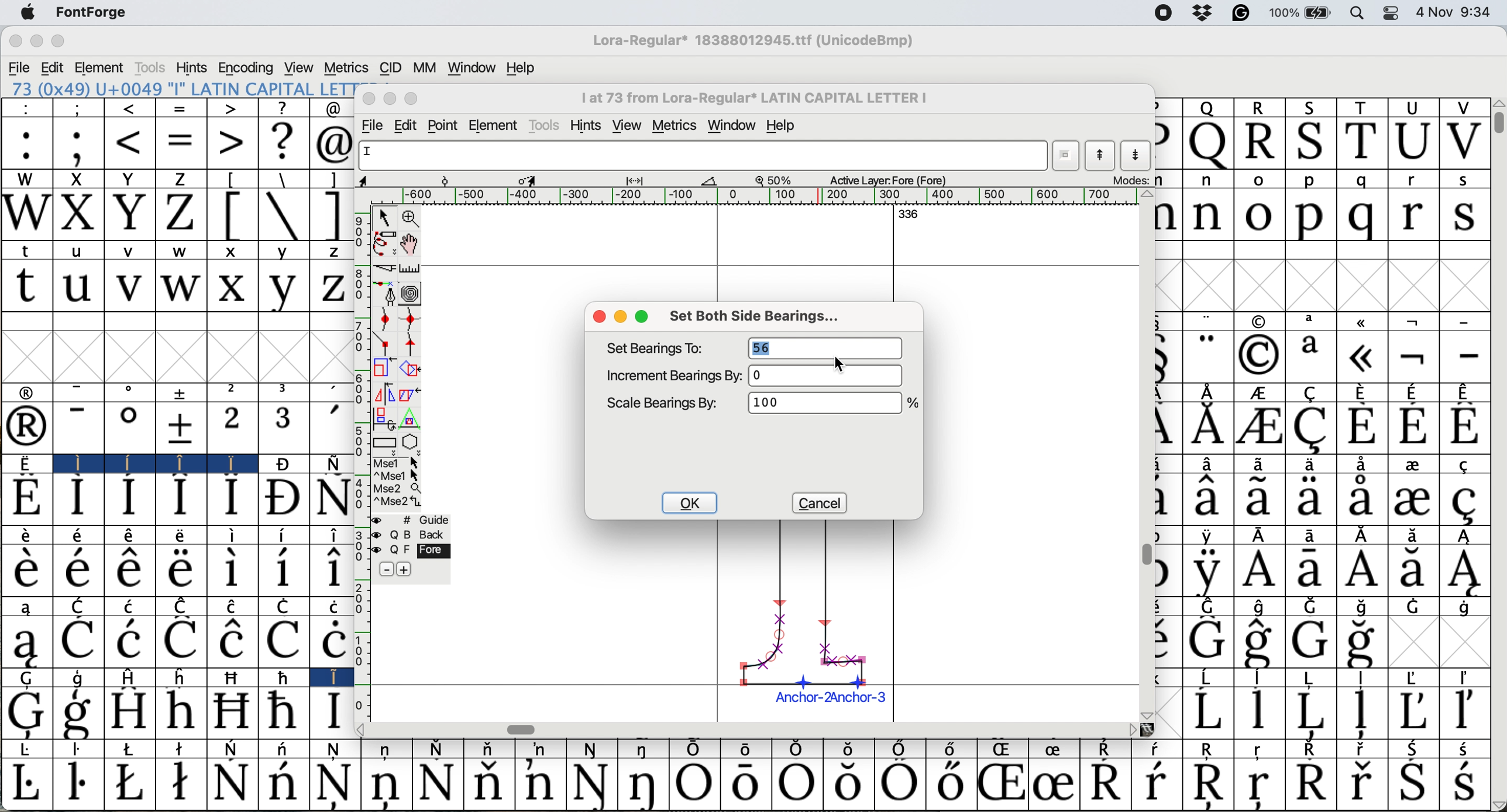  Describe the element at coordinates (1206, 355) in the screenshot. I see `"` at that location.